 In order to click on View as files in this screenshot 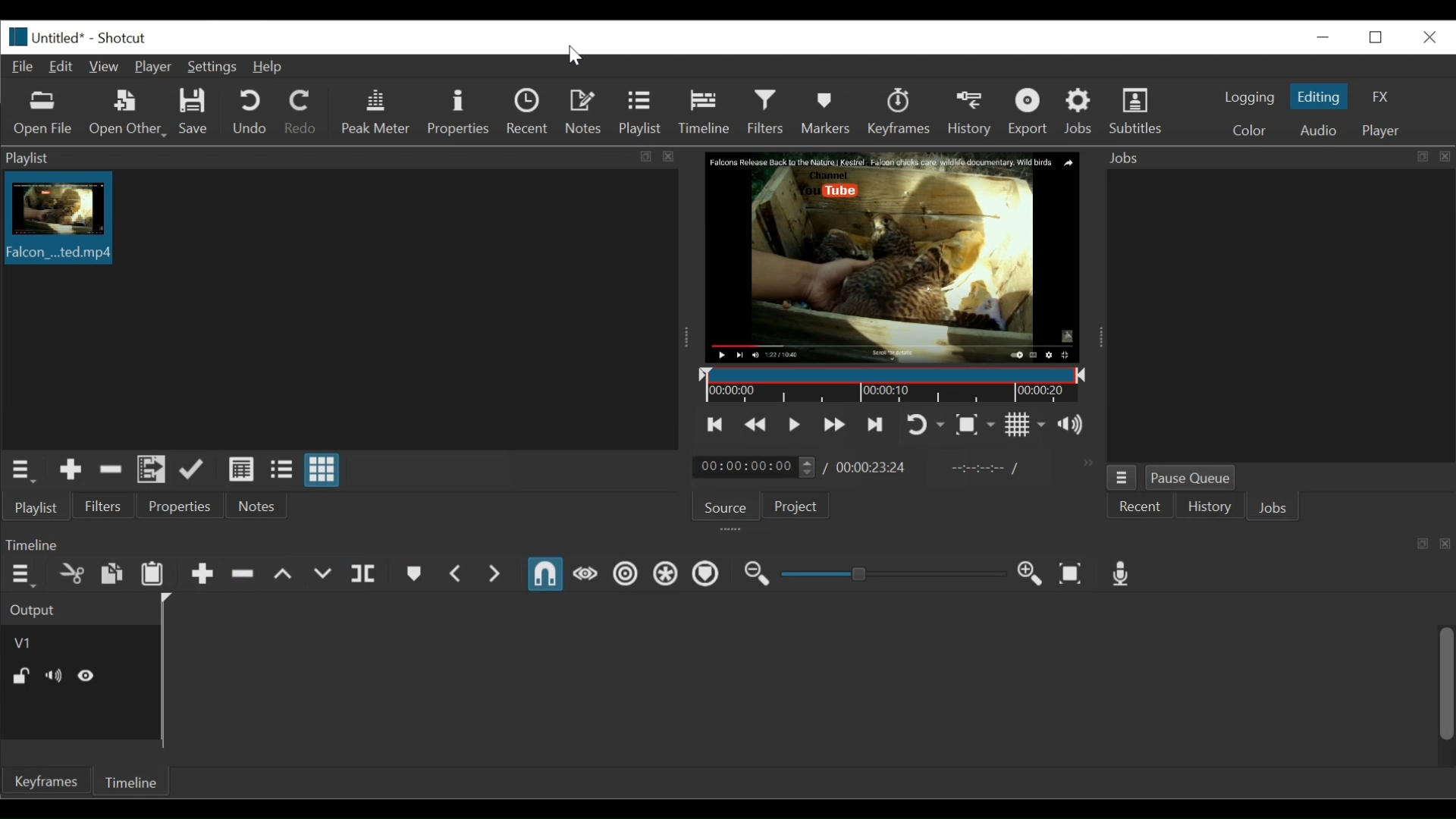, I will do `click(279, 471)`.